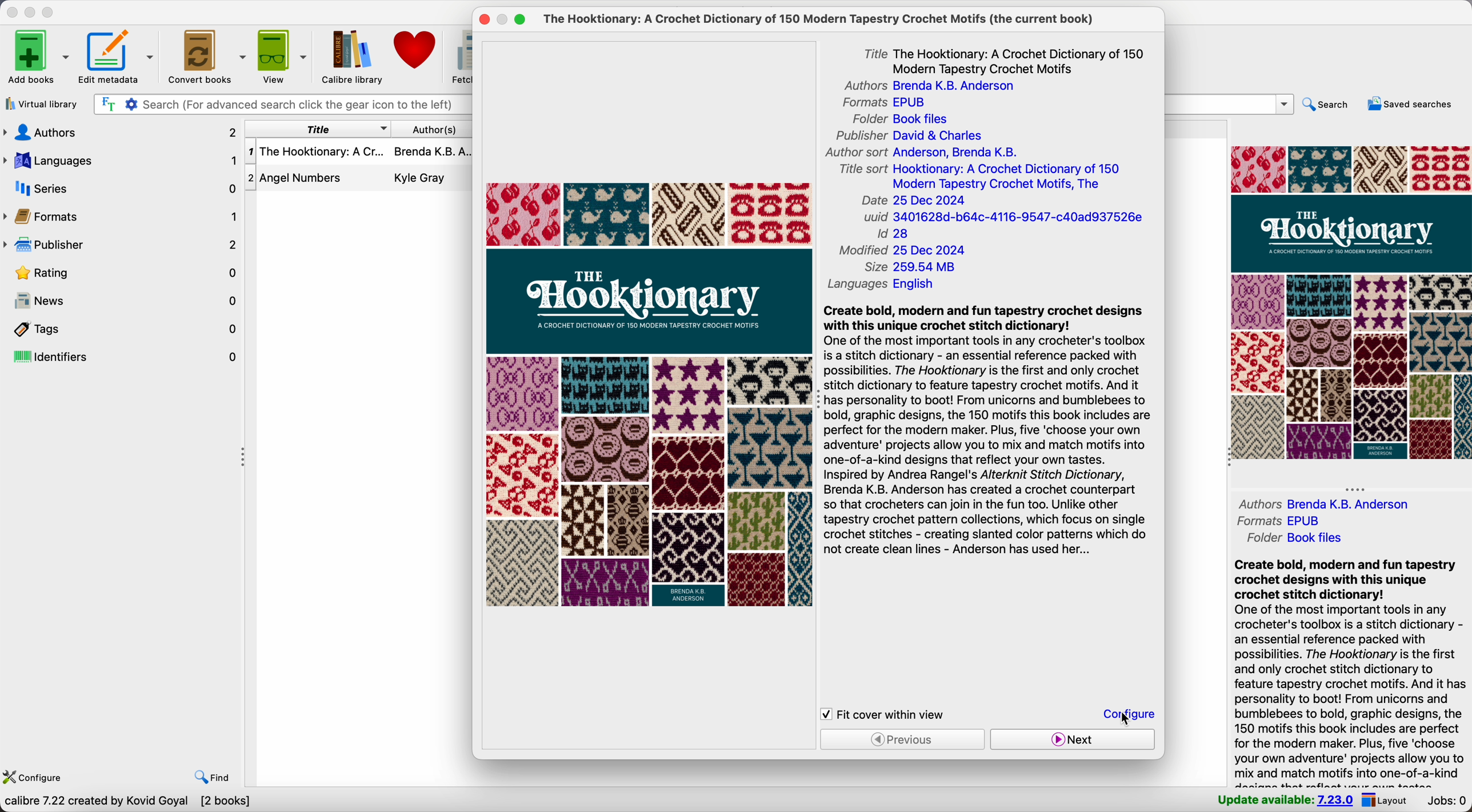 The height and width of the screenshot is (812, 1472). What do you see at coordinates (351, 55) in the screenshot?
I see `Calibre library` at bounding box center [351, 55].